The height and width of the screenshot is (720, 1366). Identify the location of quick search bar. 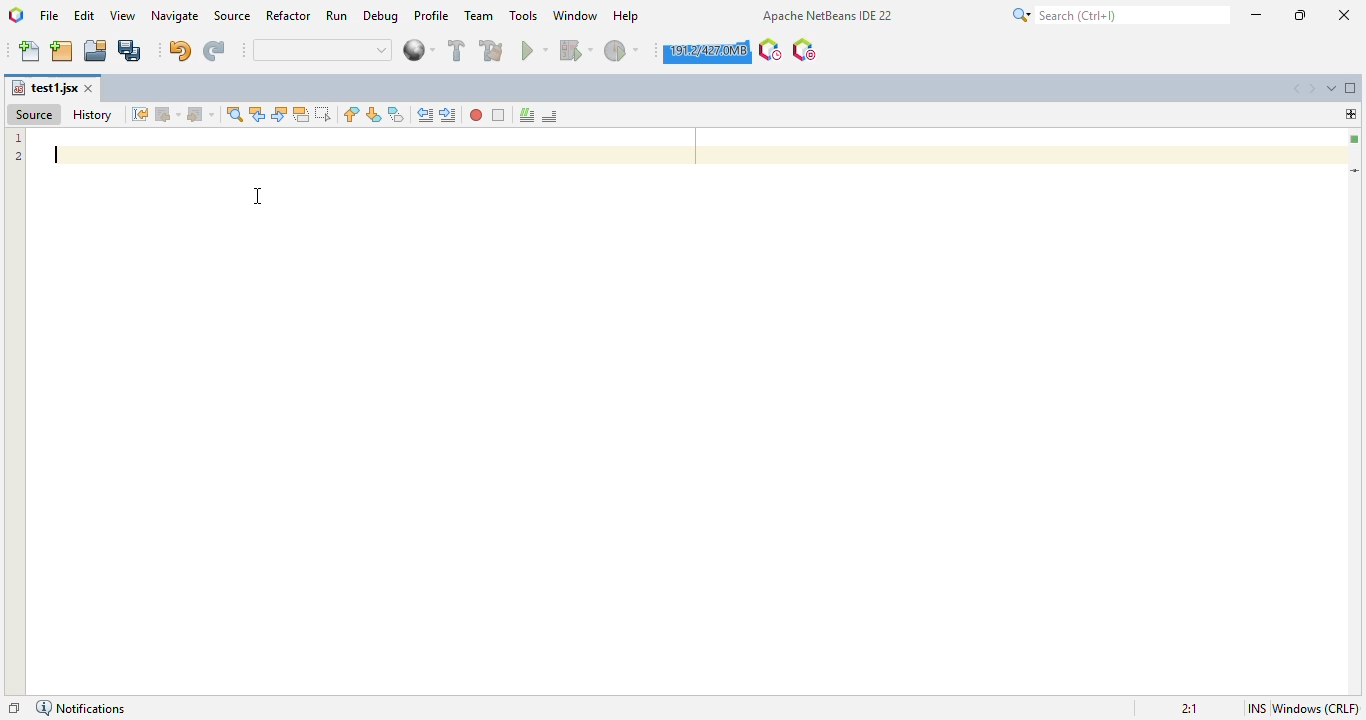
(324, 50).